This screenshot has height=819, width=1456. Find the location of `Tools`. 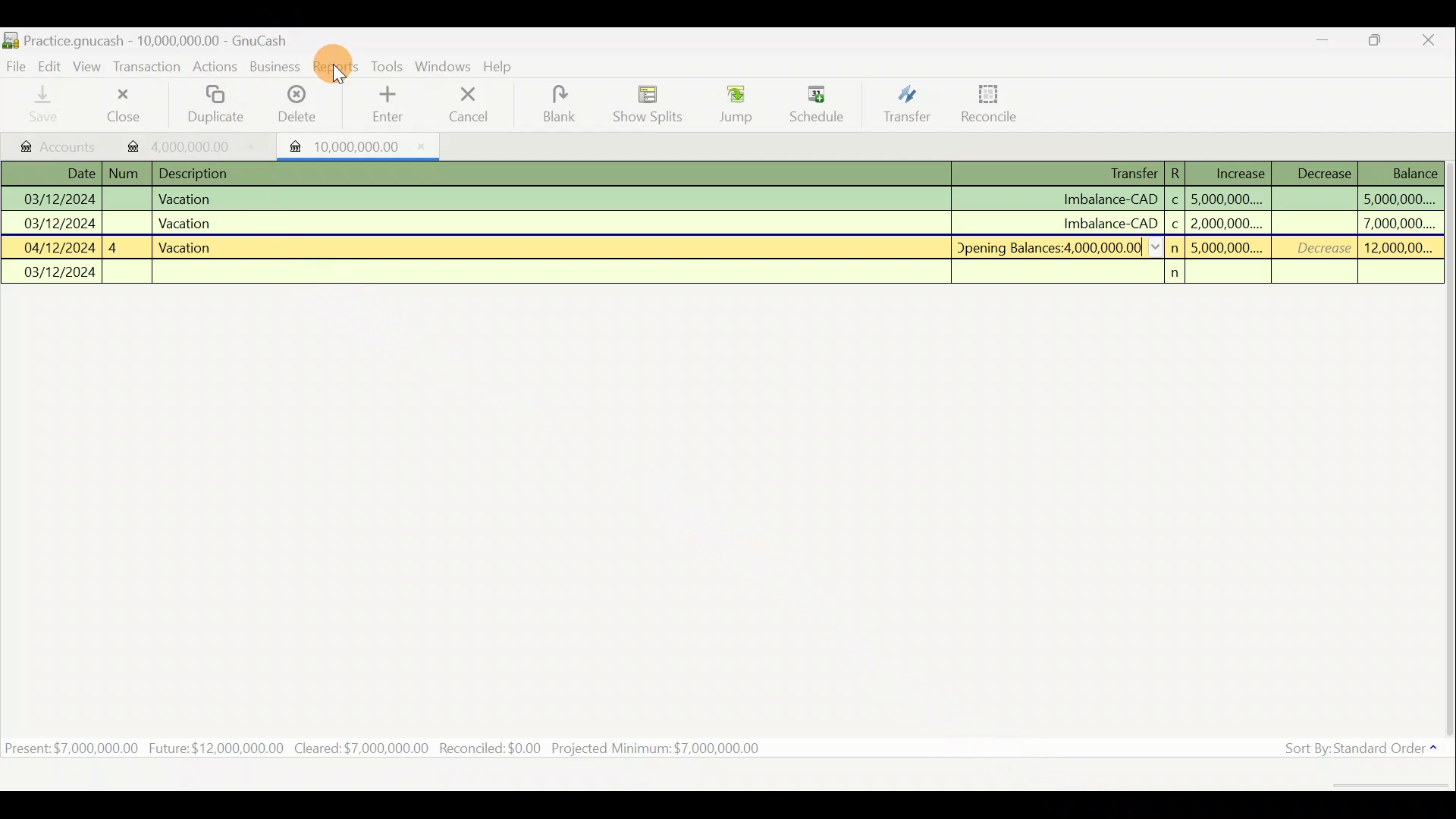

Tools is located at coordinates (390, 68).